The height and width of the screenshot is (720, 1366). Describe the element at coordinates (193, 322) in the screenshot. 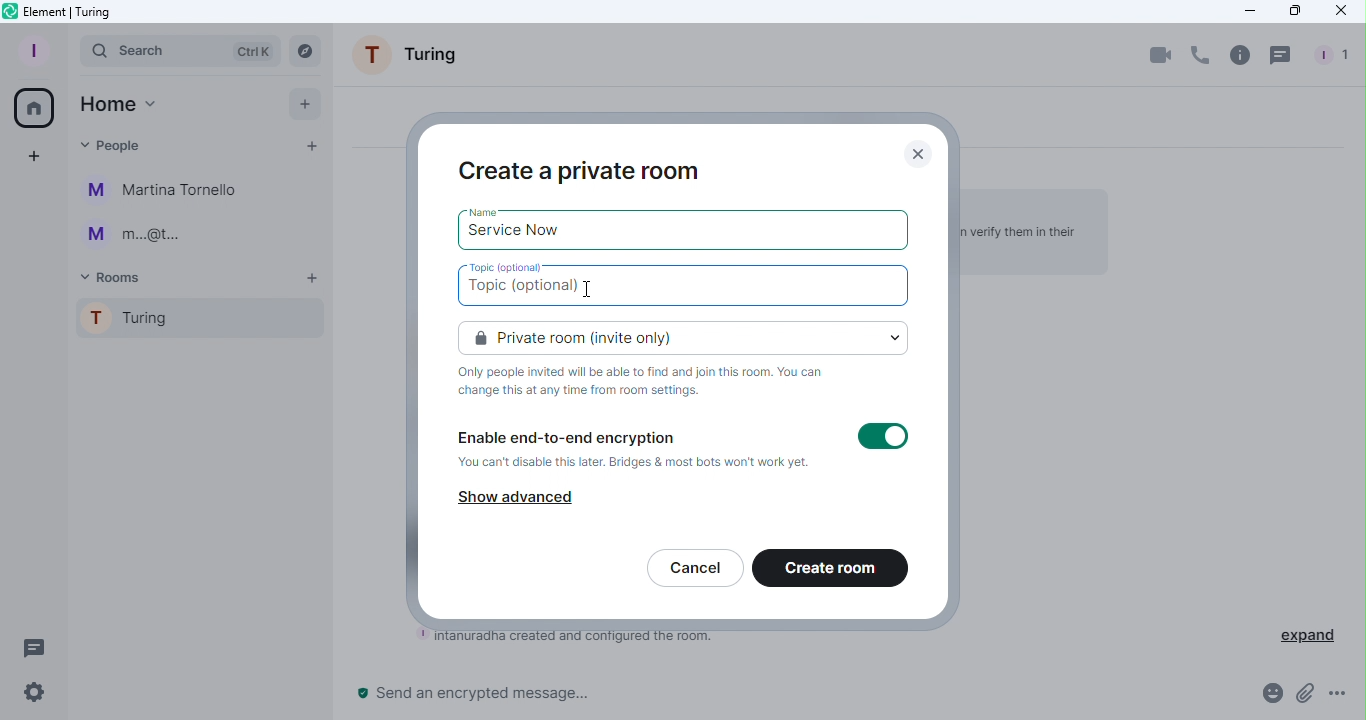

I see `Turing` at that location.